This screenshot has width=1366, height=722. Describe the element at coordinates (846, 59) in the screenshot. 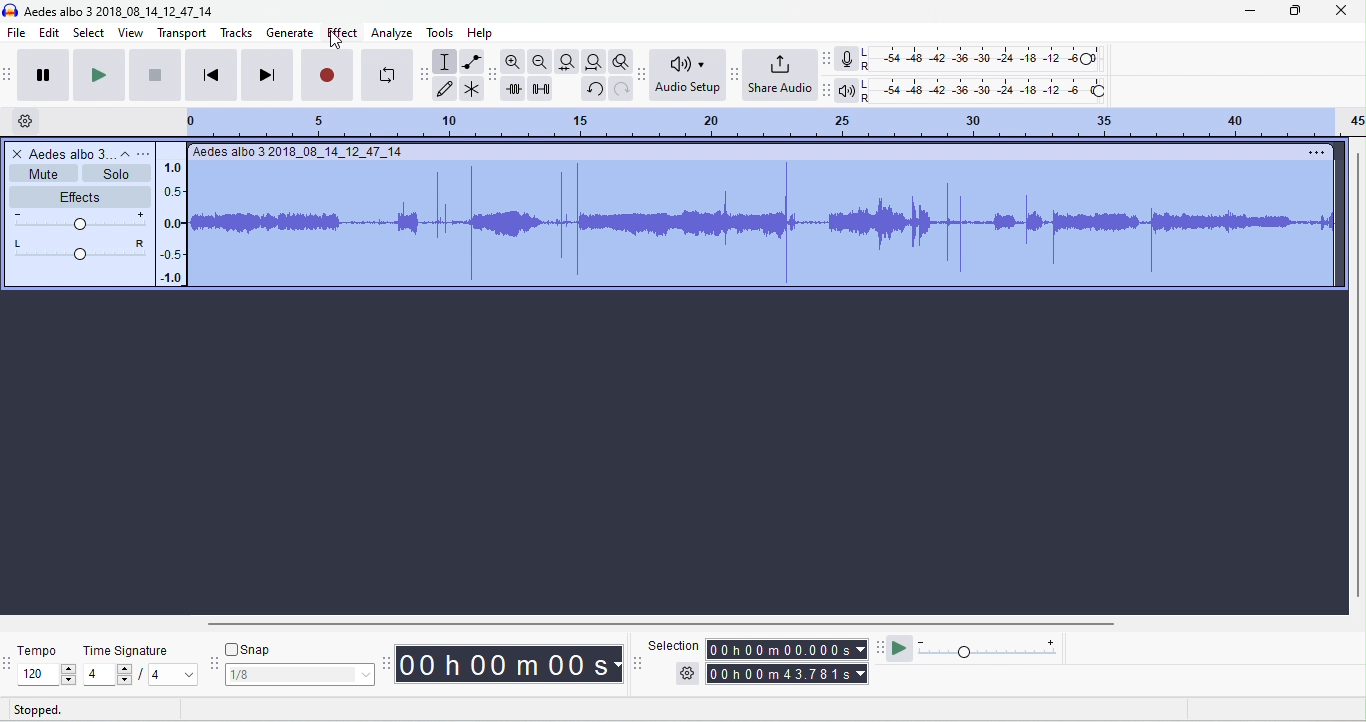

I see `record meter` at that location.